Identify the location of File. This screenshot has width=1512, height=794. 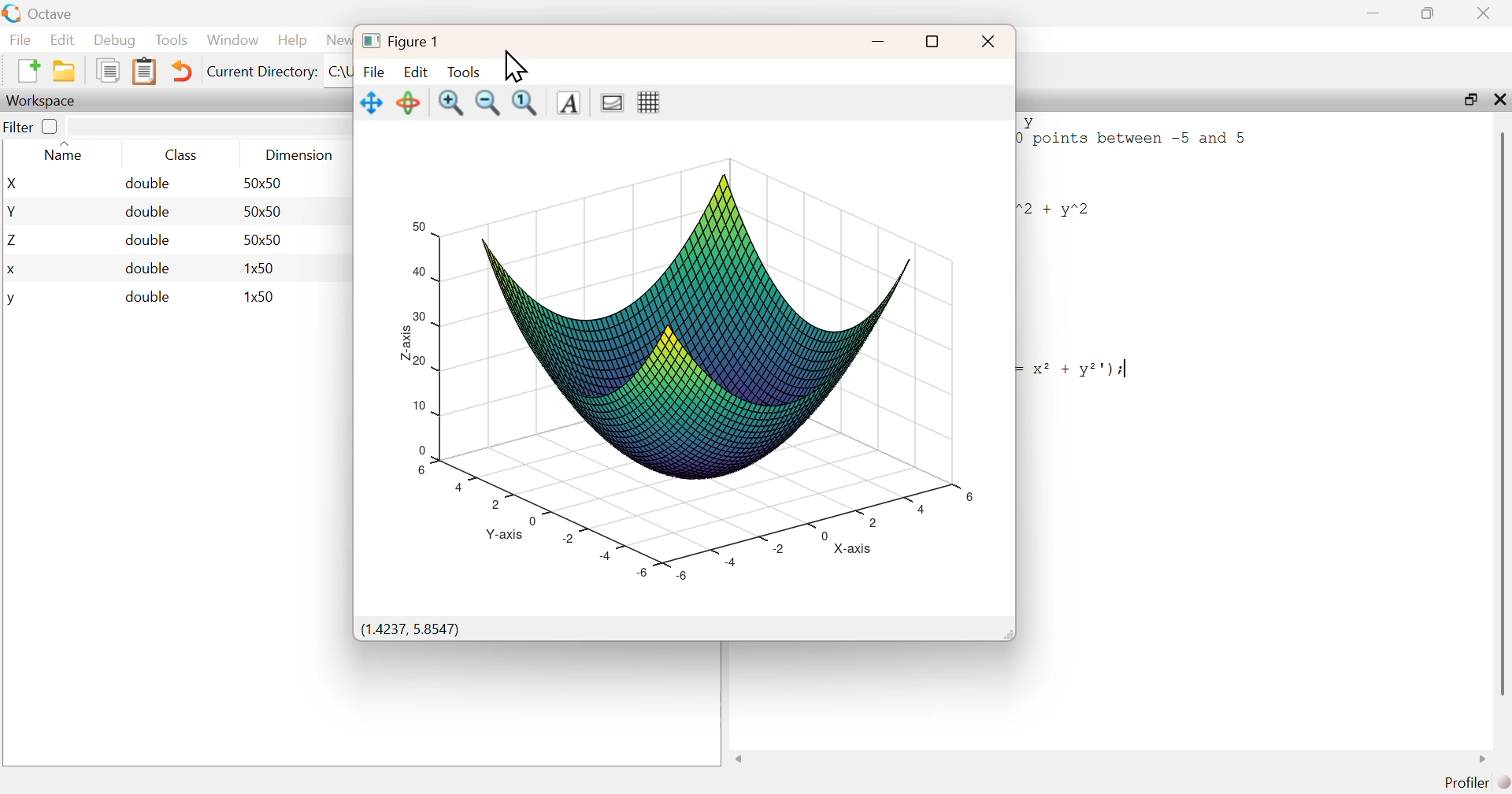
(374, 72).